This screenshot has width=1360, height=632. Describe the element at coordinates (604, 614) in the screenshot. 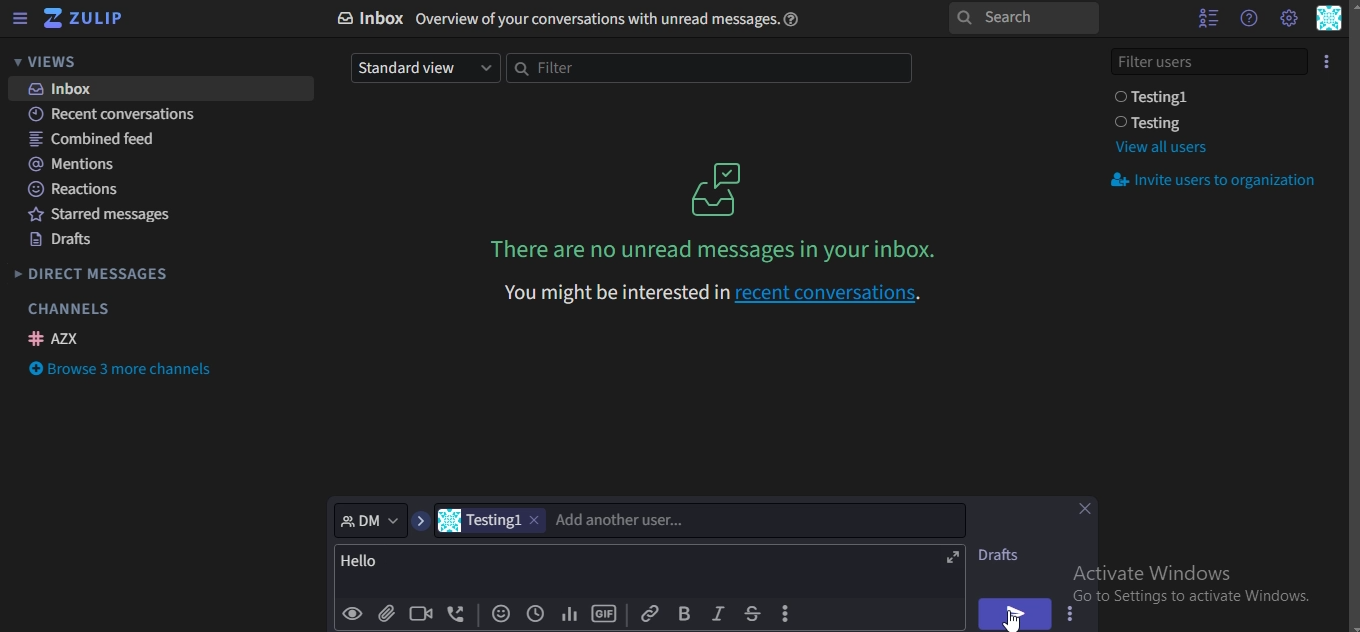

I see `GIF` at that location.